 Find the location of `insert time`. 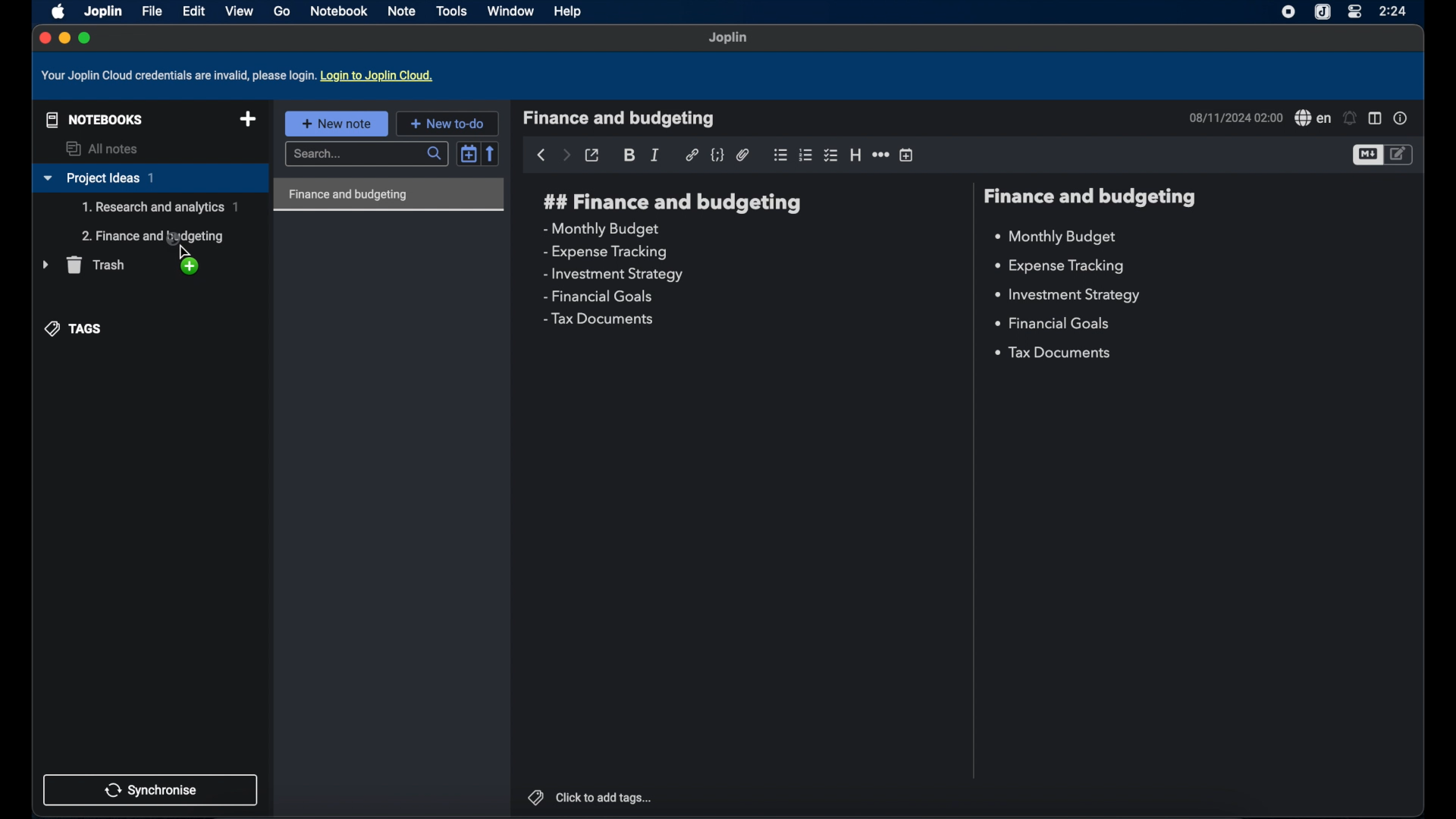

insert time is located at coordinates (908, 155).